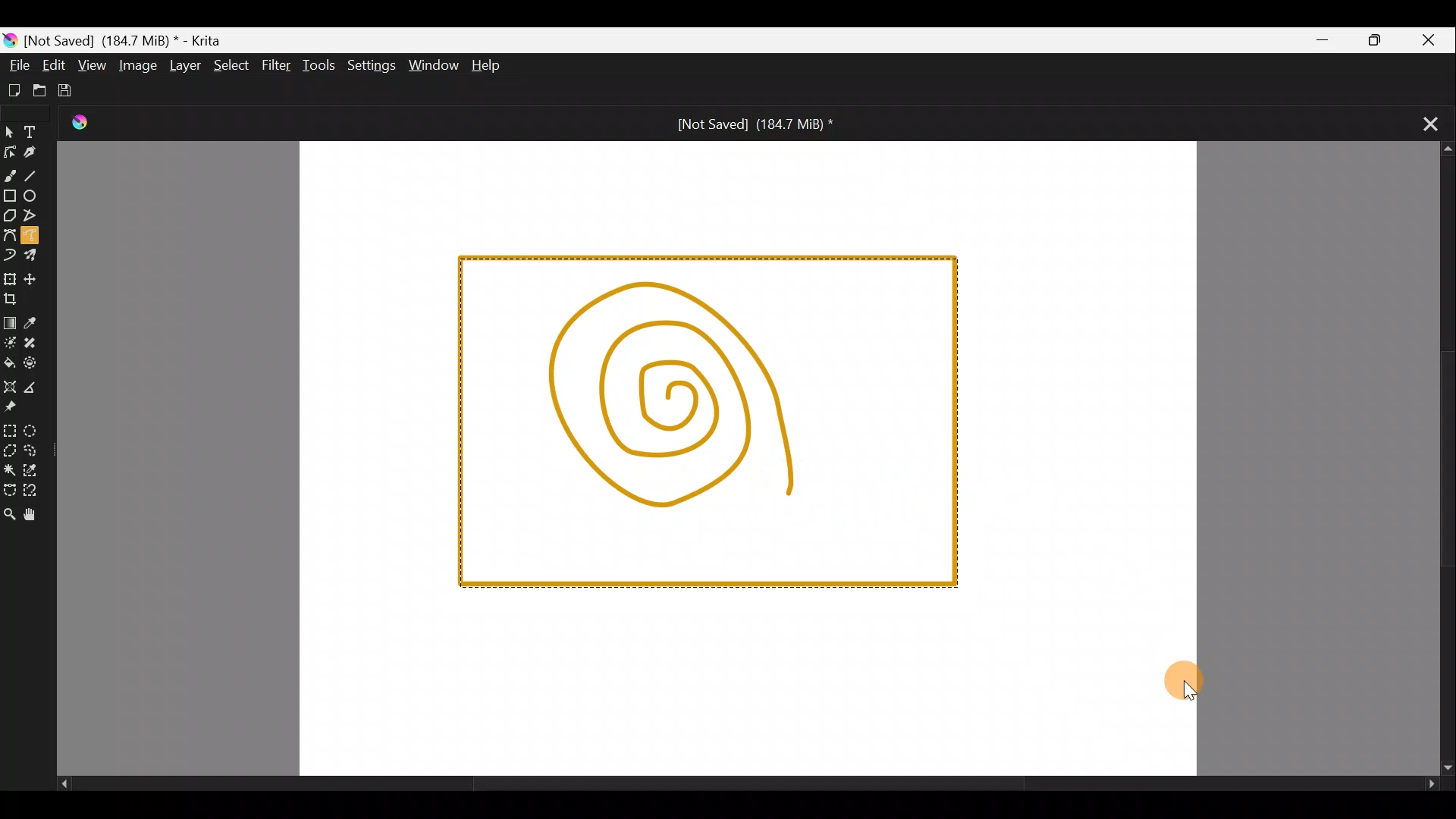 This screenshot has height=819, width=1456. What do you see at coordinates (9, 514) in the screenshot?
I see `Zoom tool` at bounding box center [9, 514].